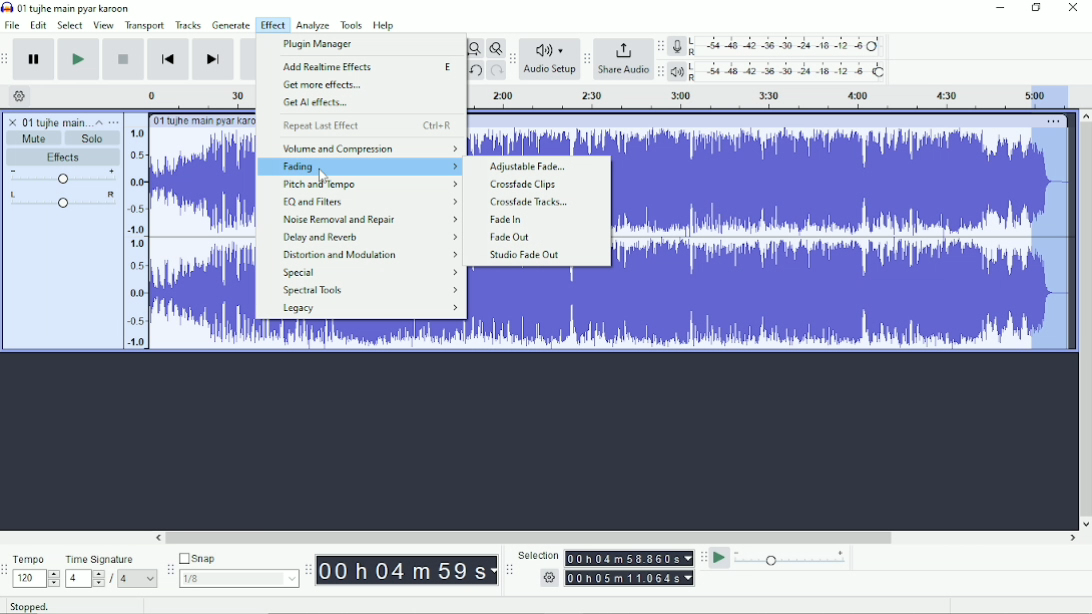  What do you see at coordinates (34, 59) in the screenshot?
I see `Pause` at bounding box center [34, 59].